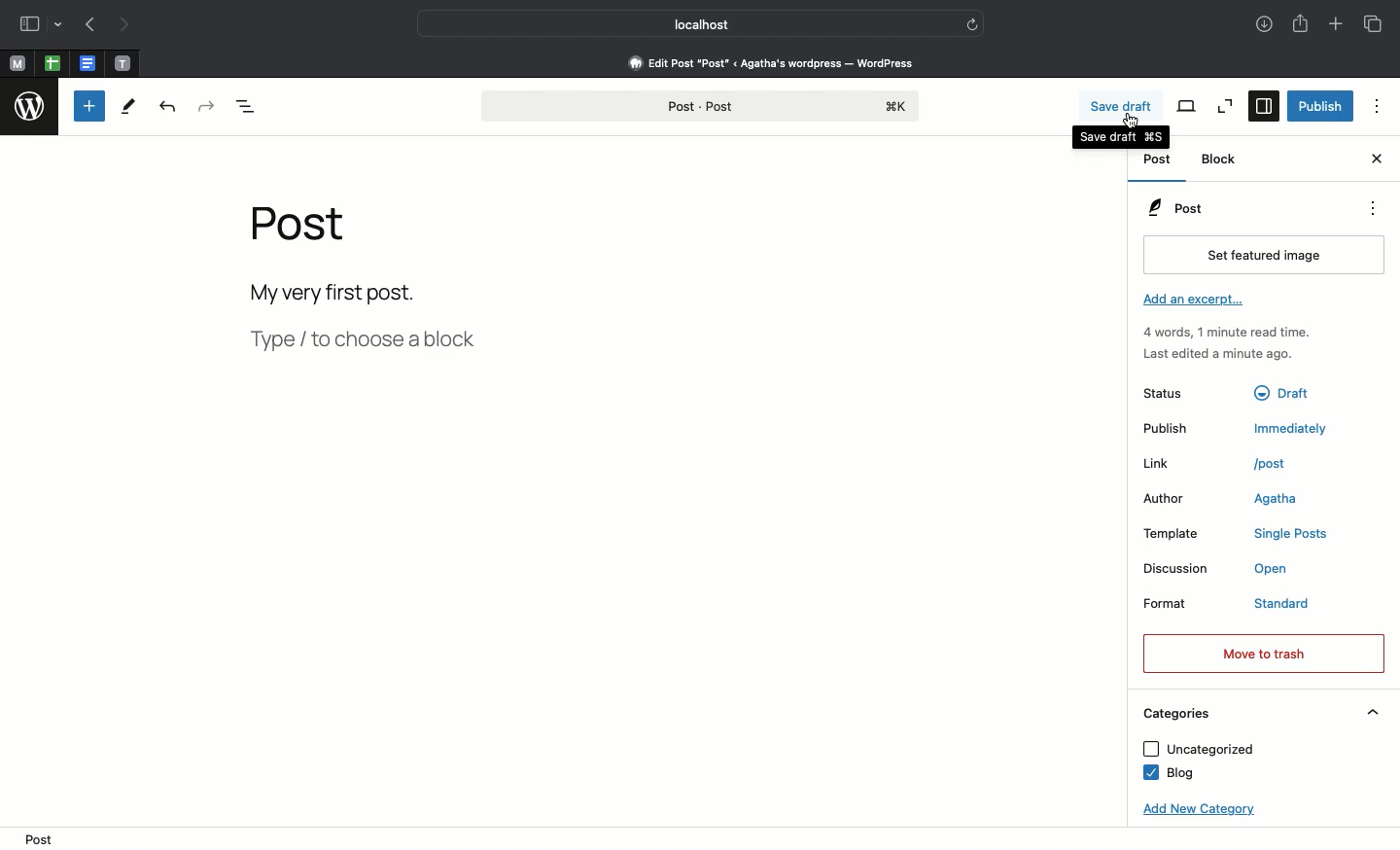 This screenshot has height=850, width=1400. I want to click on Post, so click(1156, 162).